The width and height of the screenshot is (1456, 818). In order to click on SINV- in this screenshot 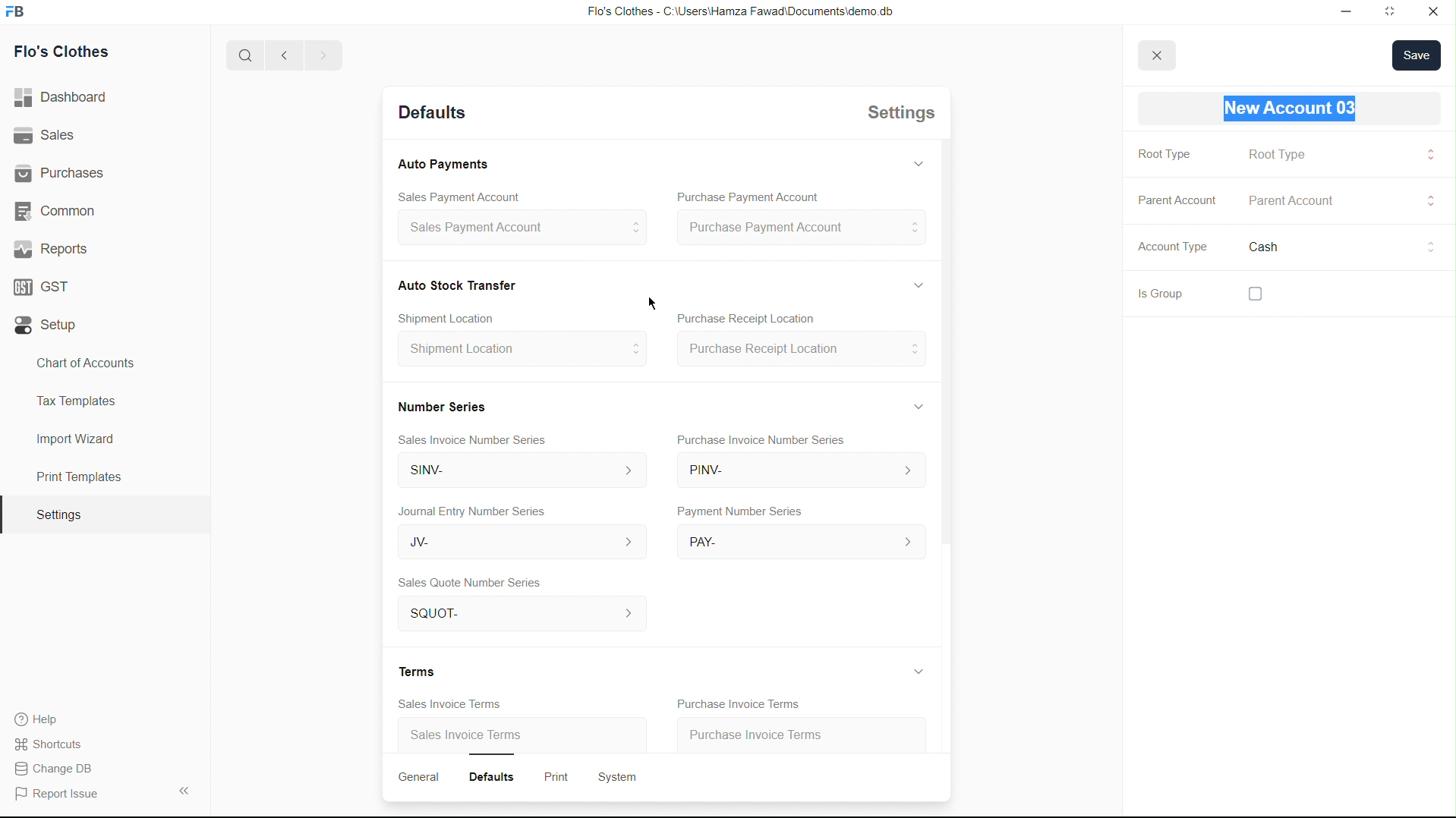, I will do `click(515, 472)`.